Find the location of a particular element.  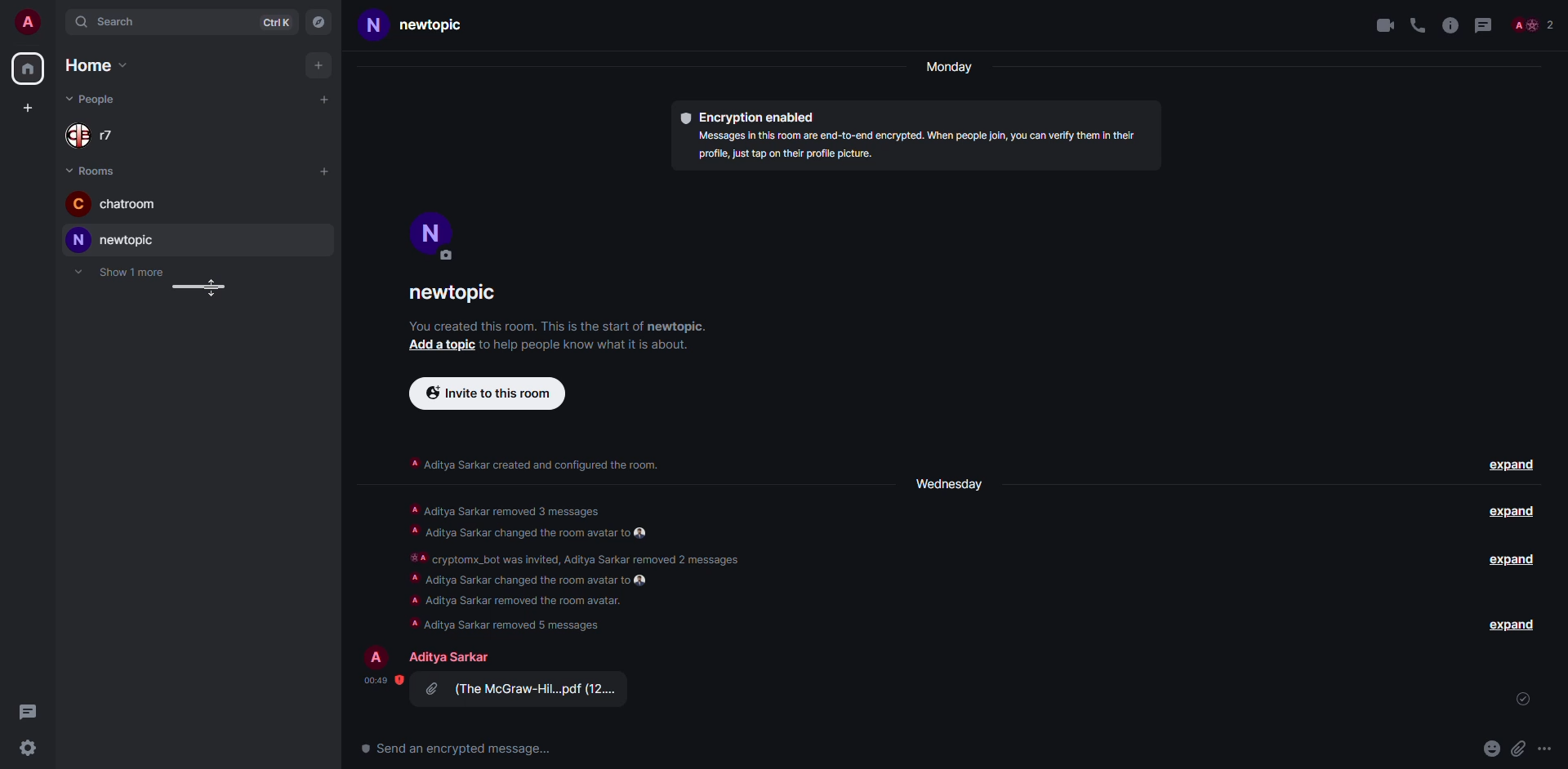

newtopic is located at coordinates (454, 295).